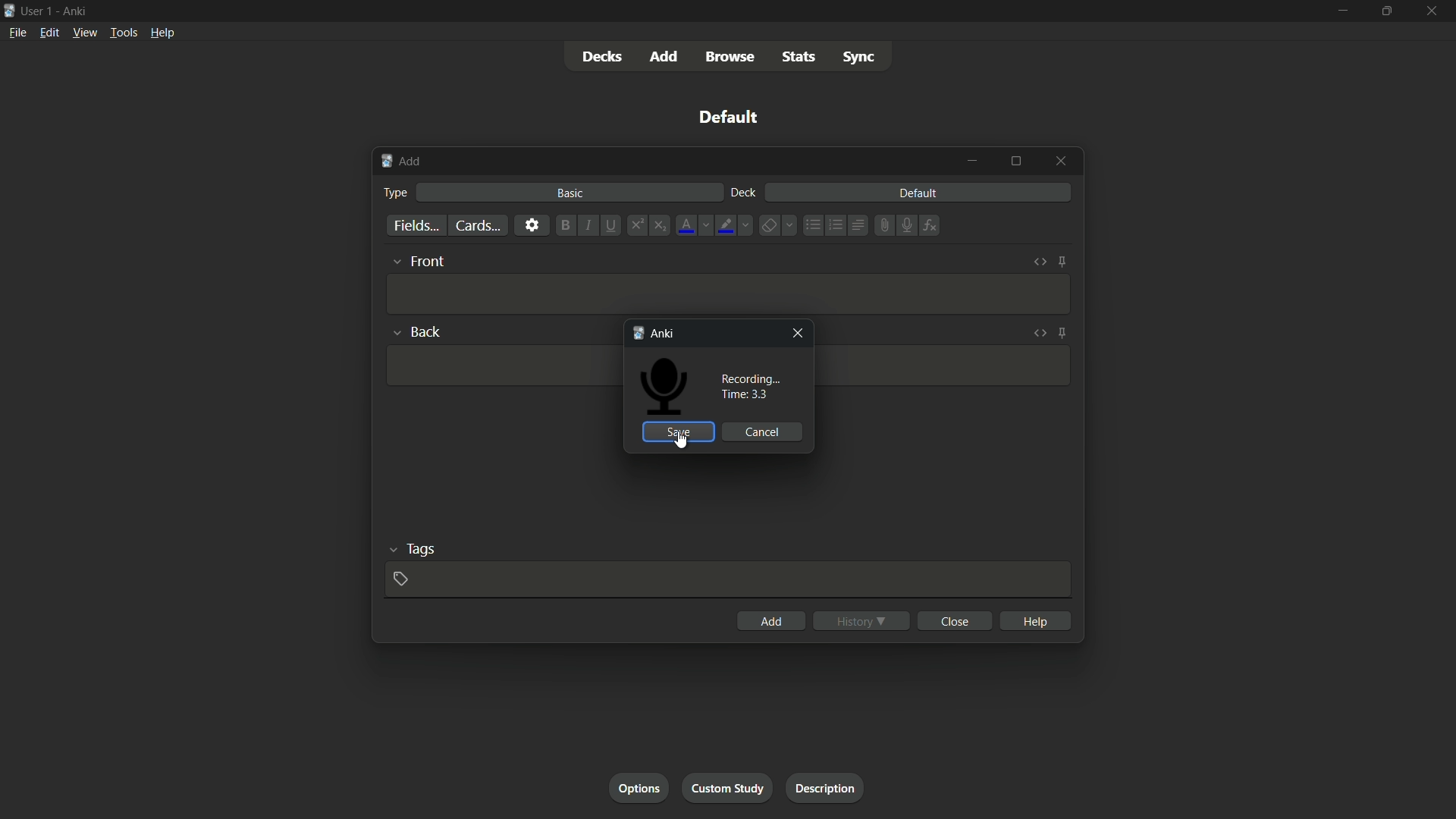 The image size is (1456, 819). Describe the element at coordinates (930, 225) in the screenshot. I see `equations` at that location.